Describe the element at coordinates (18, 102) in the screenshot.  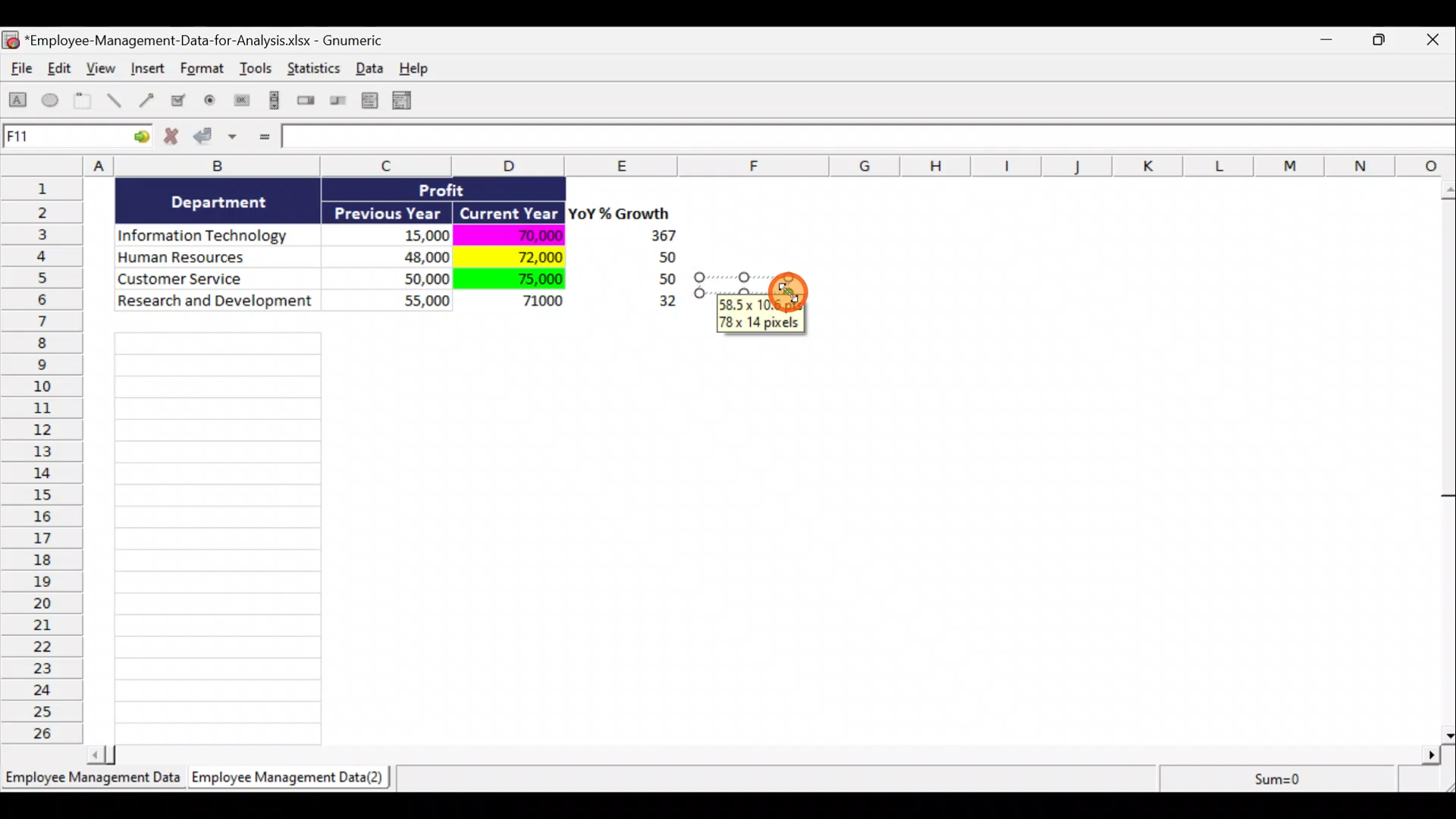
I see `Create a rectangle object` at that location.